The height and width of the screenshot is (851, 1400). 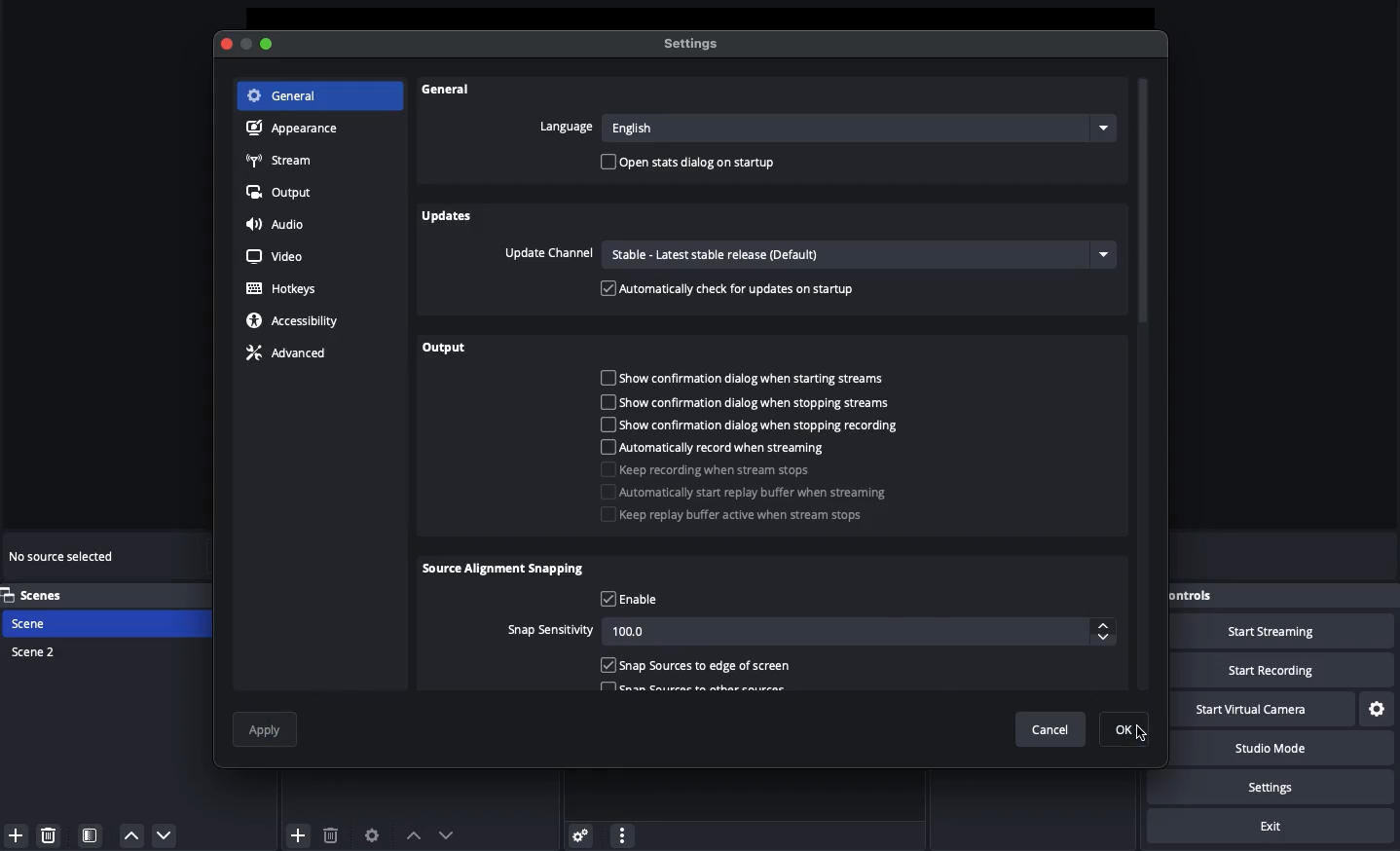 What do you see at coordinates (580, 833) in the screenshot?
I see `Advanced audio menu` at bounding box center [580, 833].